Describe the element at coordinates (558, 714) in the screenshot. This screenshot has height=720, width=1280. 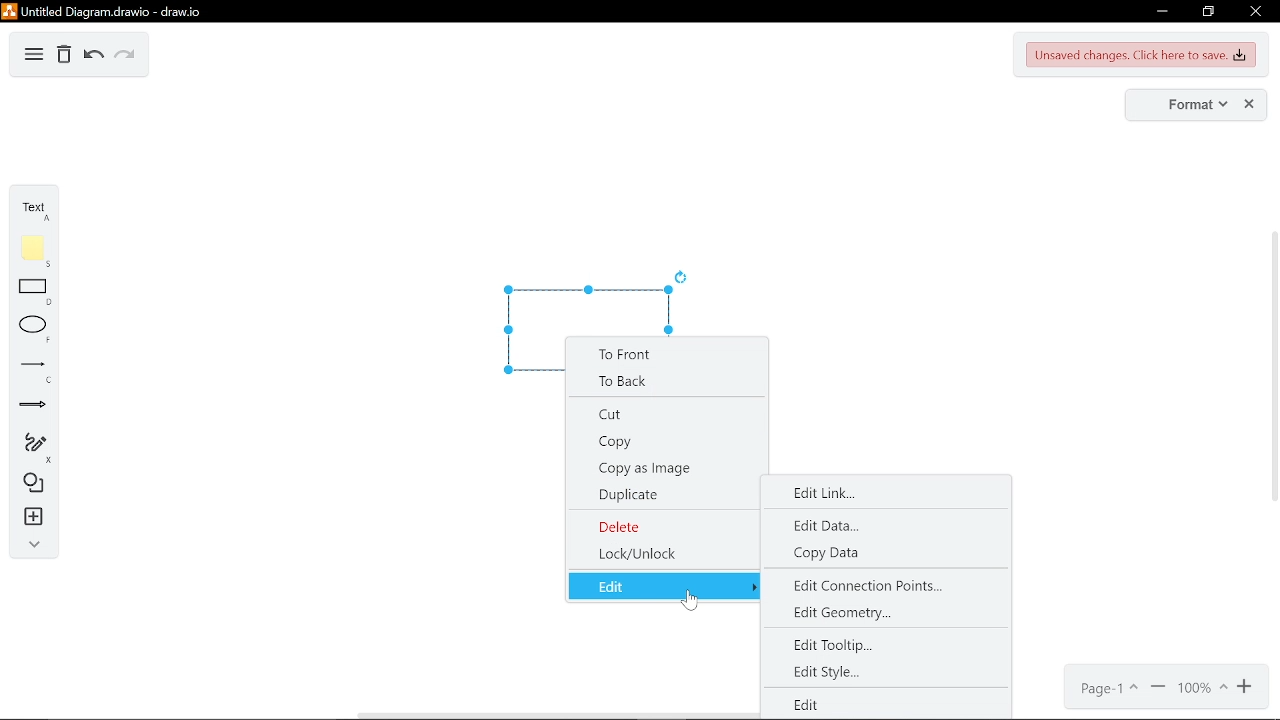
I see `horizontal scrollbar` at that location.